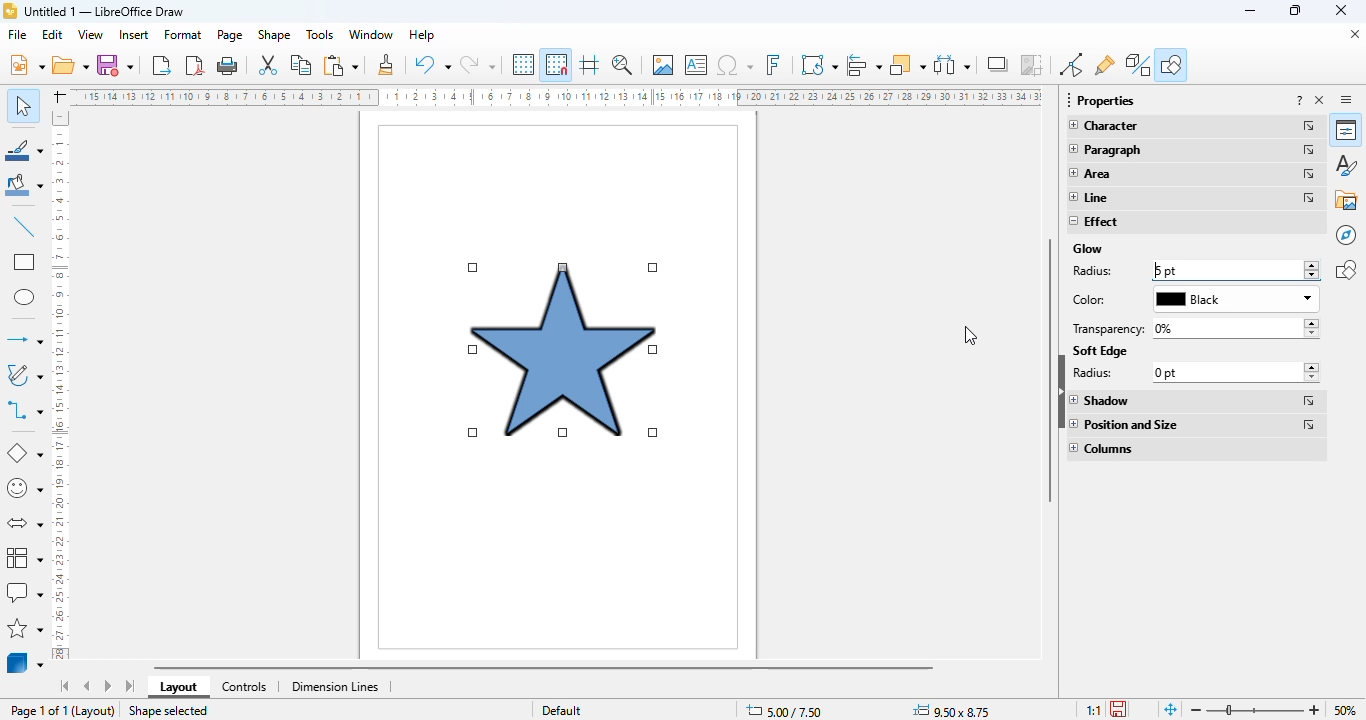 The height and width of the screenshot is (720, 1366). I want to click on  black, so click(1235, 299).